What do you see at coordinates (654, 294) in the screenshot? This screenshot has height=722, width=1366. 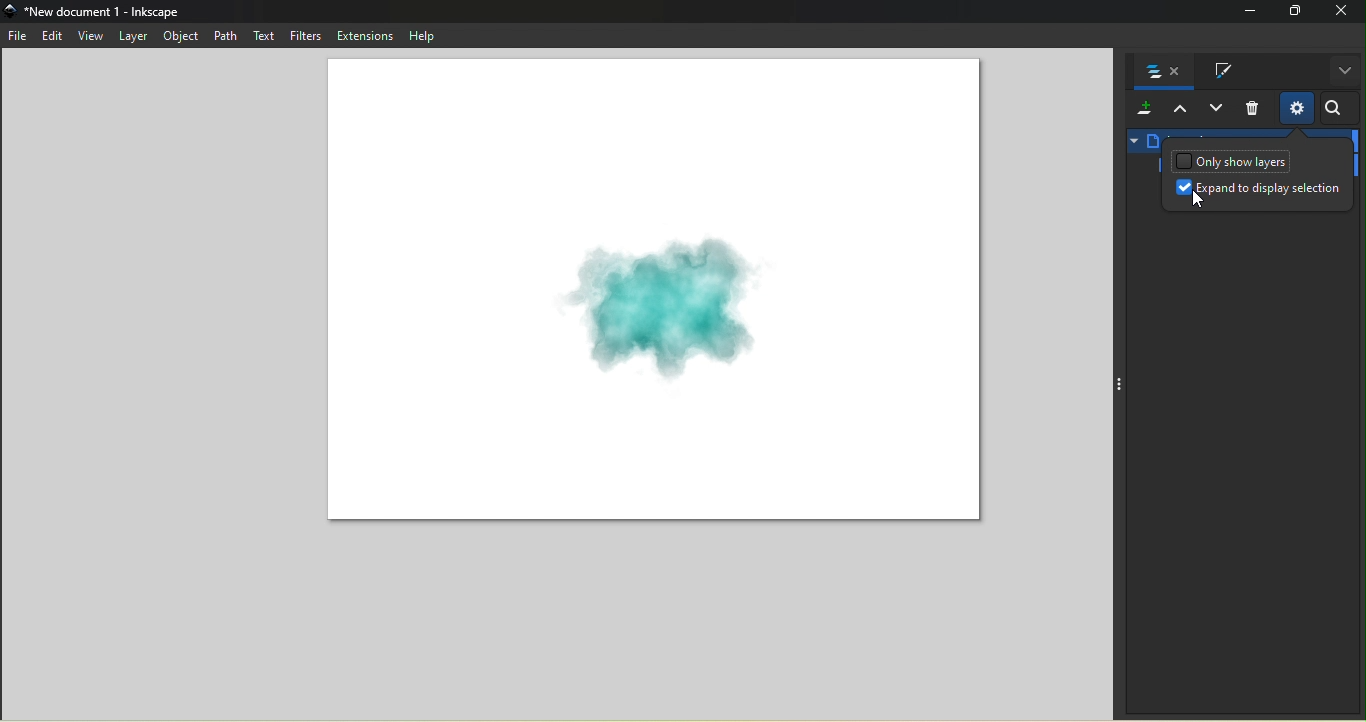 I see `Canvas showing some shape` at bounding box center [654, 294].